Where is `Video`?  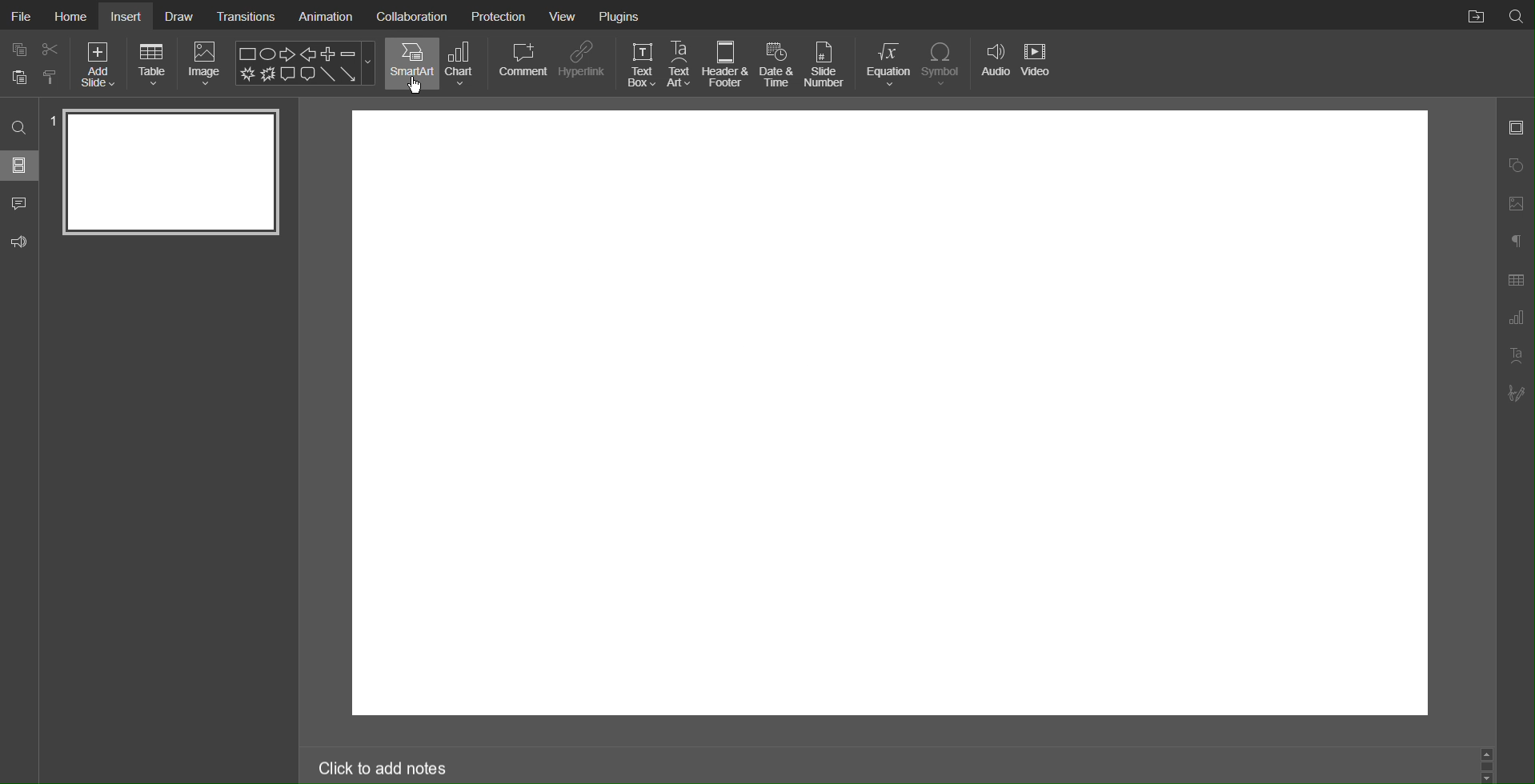 Video is located at coordinates (1038, 58).